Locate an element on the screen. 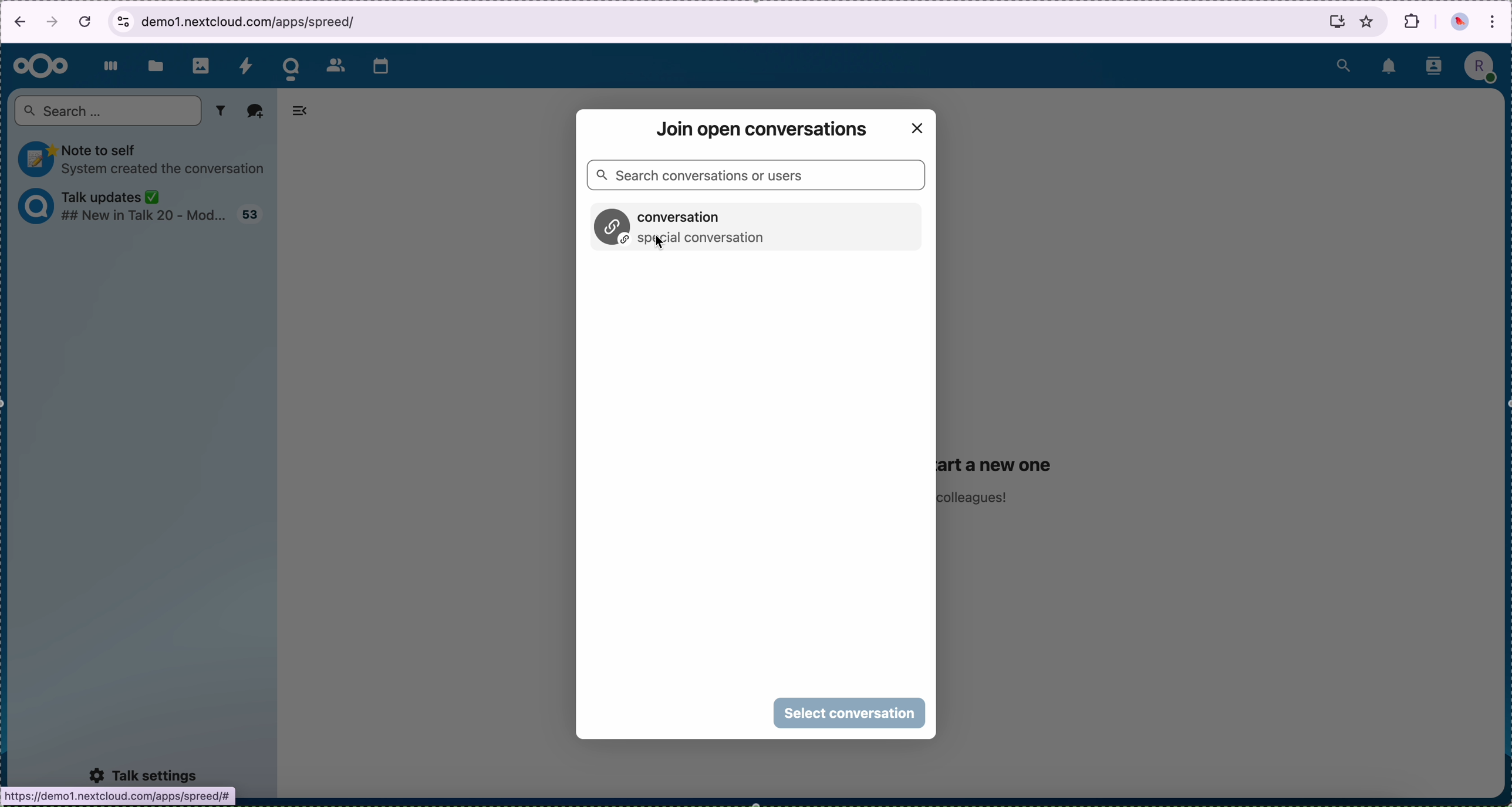 Image resolution: width=1512 pixels, height=807 pixels. cursor on talk is located at coordinates (294, 65).